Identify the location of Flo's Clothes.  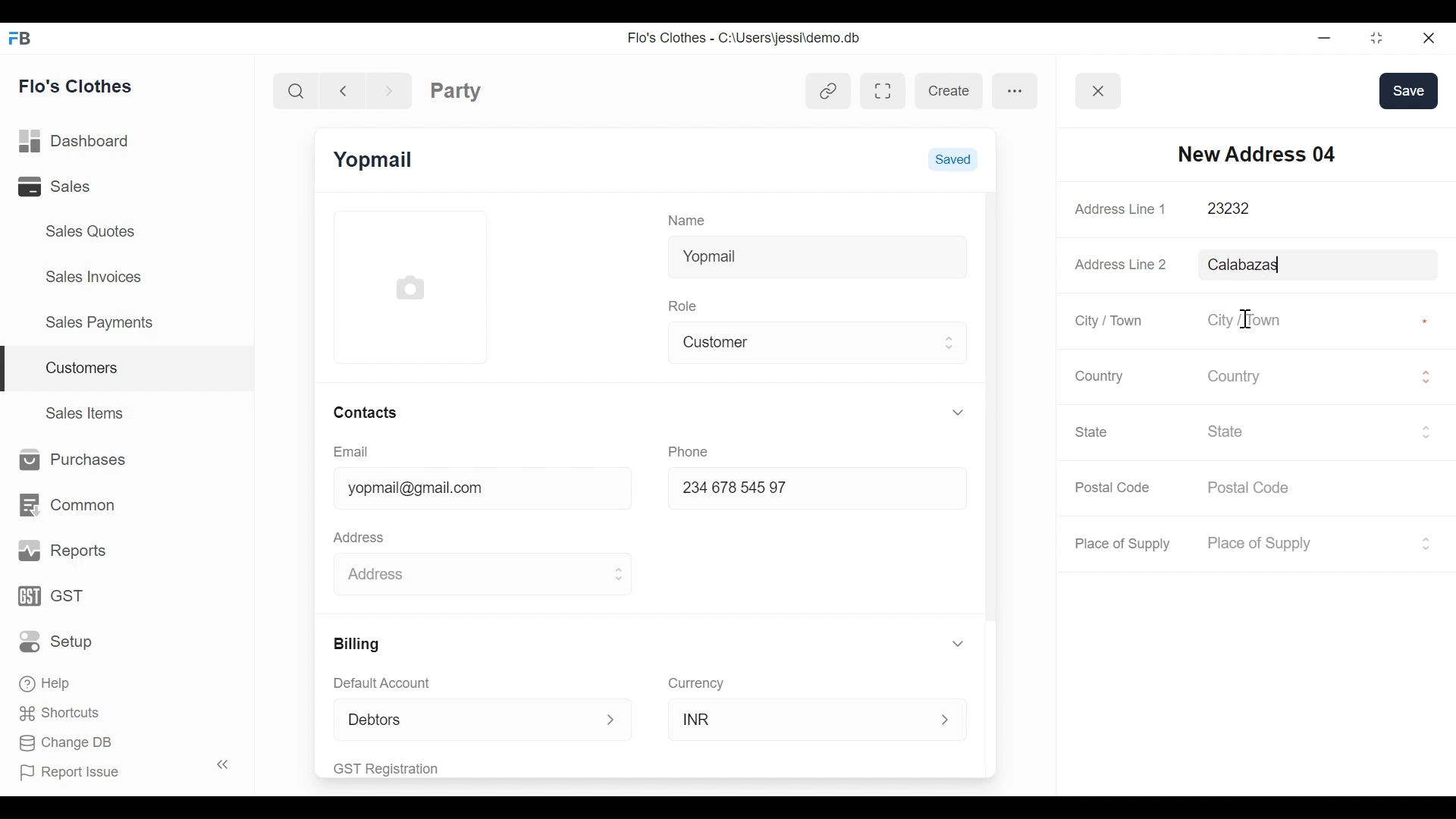
(78, 86).